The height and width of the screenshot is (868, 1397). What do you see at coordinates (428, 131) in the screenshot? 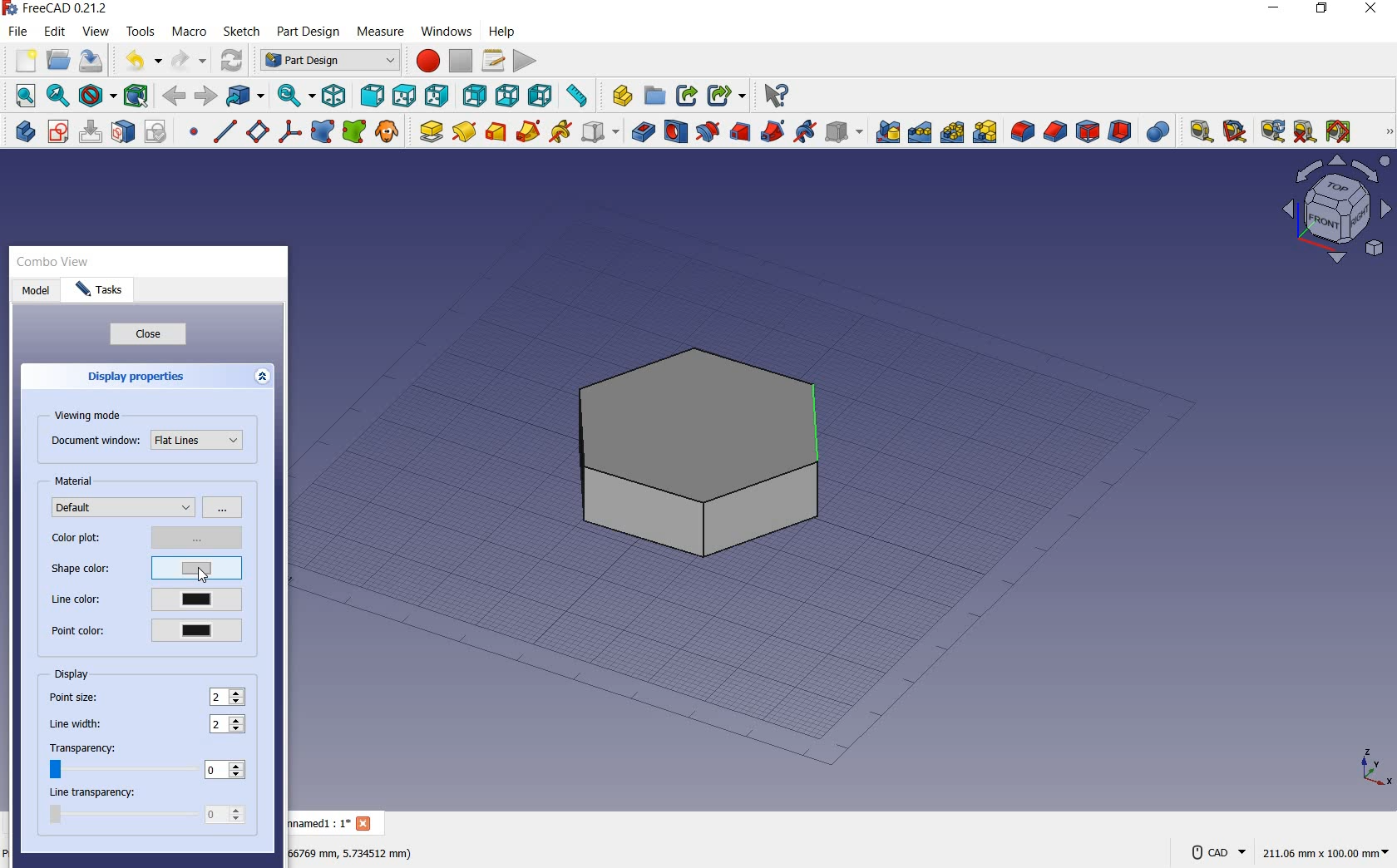
I see `pad` at bounding box center [428, 131].